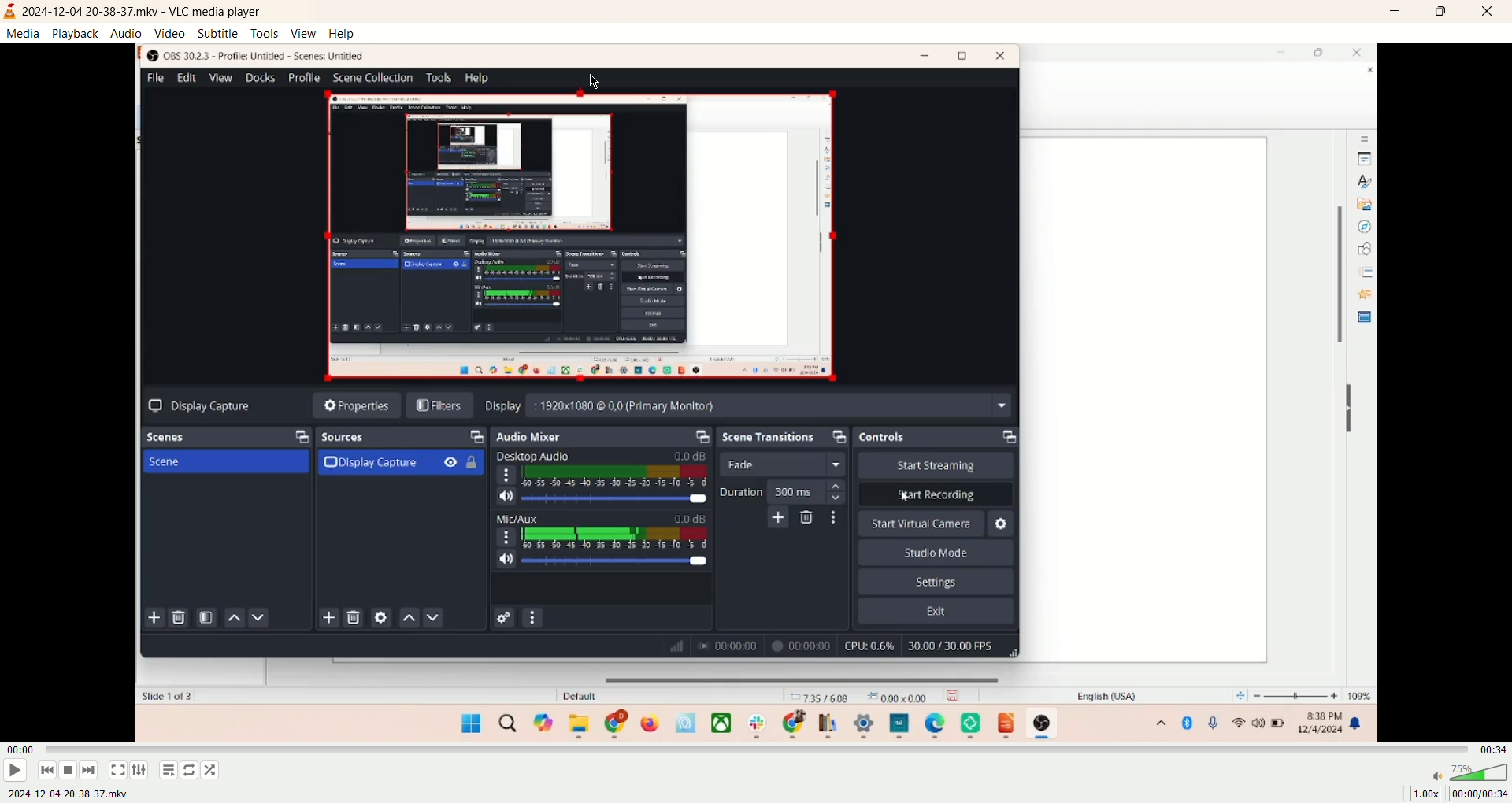 Image resolution: width=1512 pixels, height=803 pixels. What do you see at coordinates (1398, 13) in the screenshot?
I see `minimize` at bounding box center [1398, 13].